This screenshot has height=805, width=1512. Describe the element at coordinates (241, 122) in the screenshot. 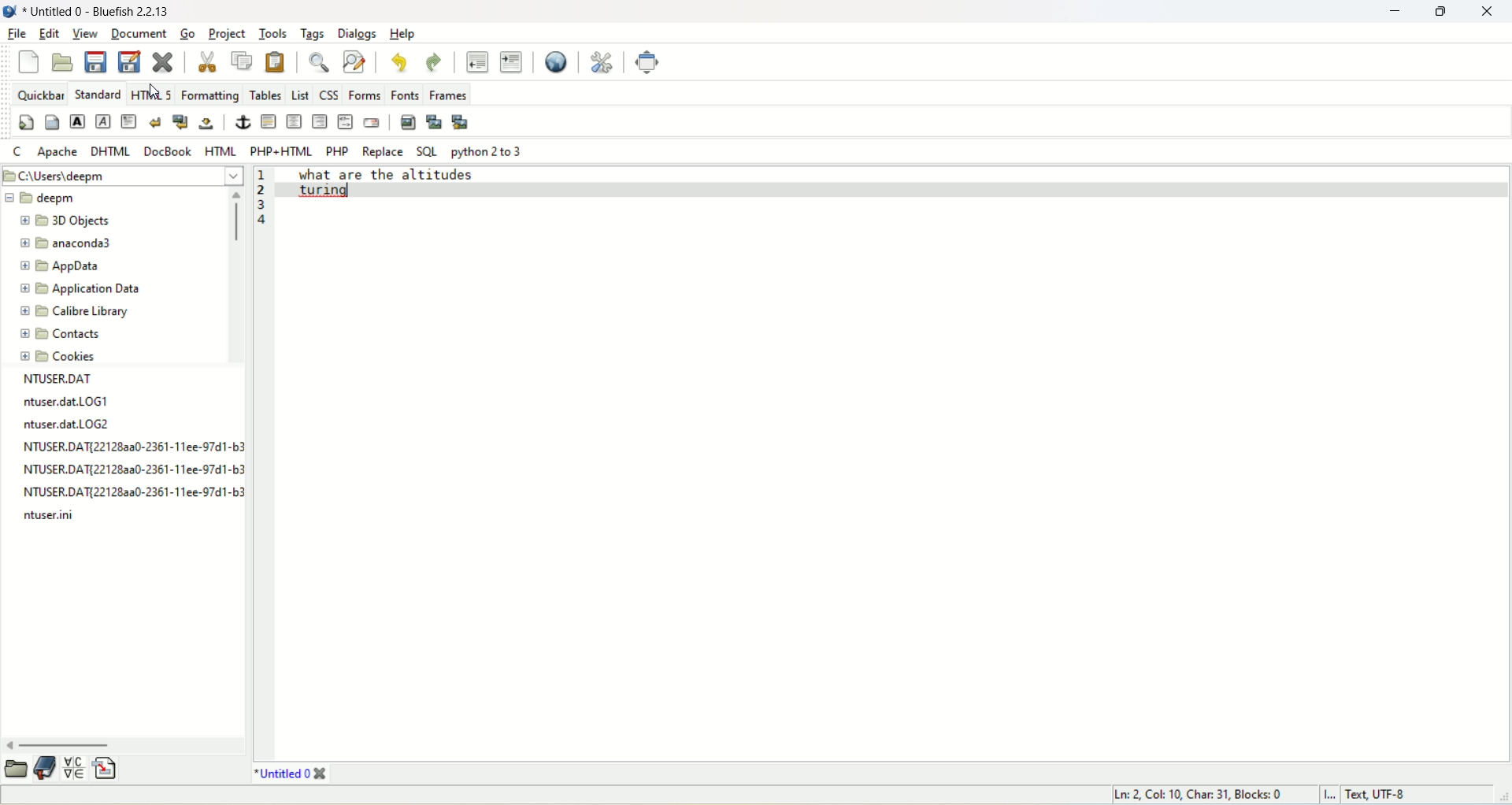

I see `anchor/hyperlink` at that location.